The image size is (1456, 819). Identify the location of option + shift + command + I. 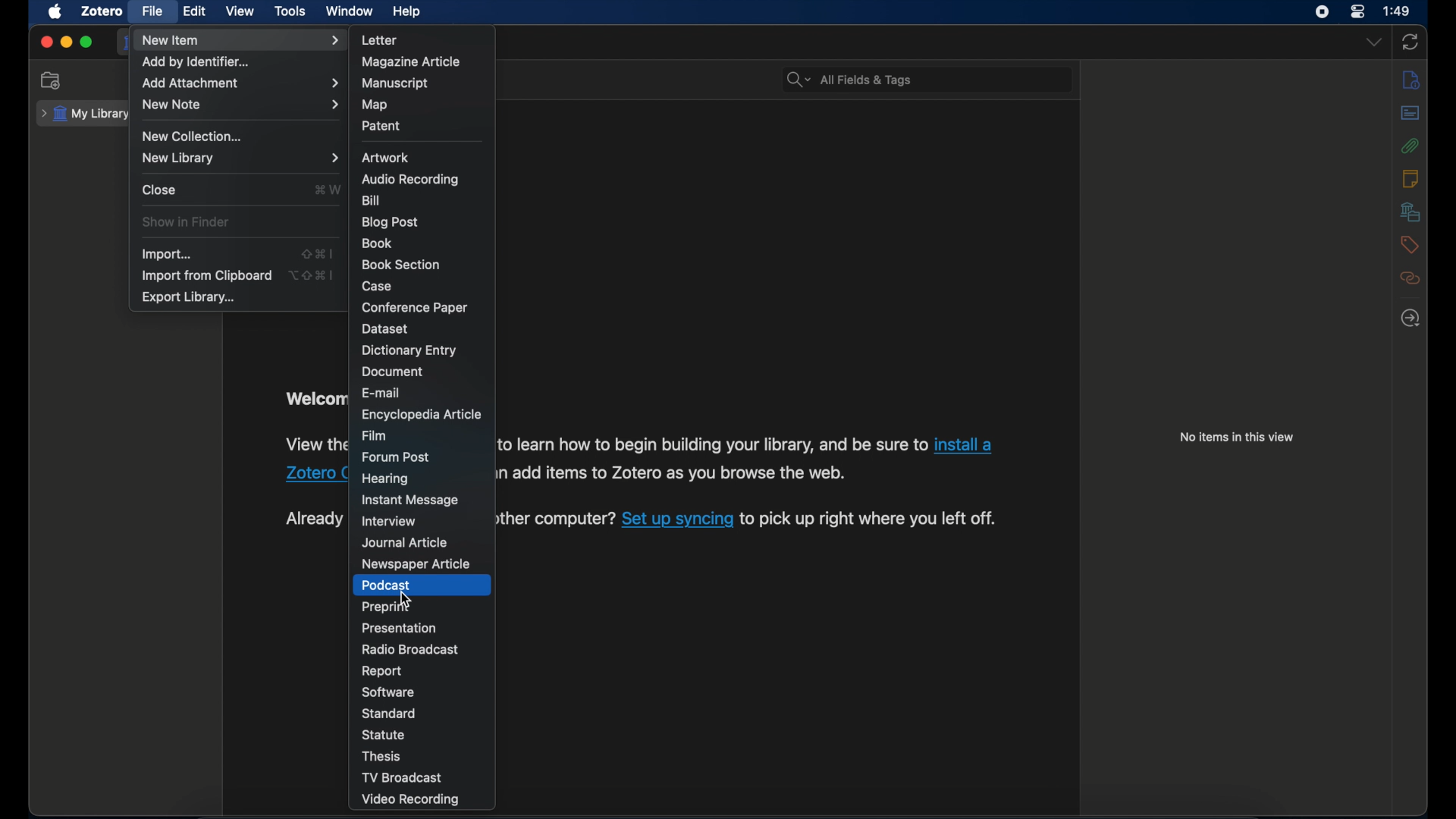
(313, 275).